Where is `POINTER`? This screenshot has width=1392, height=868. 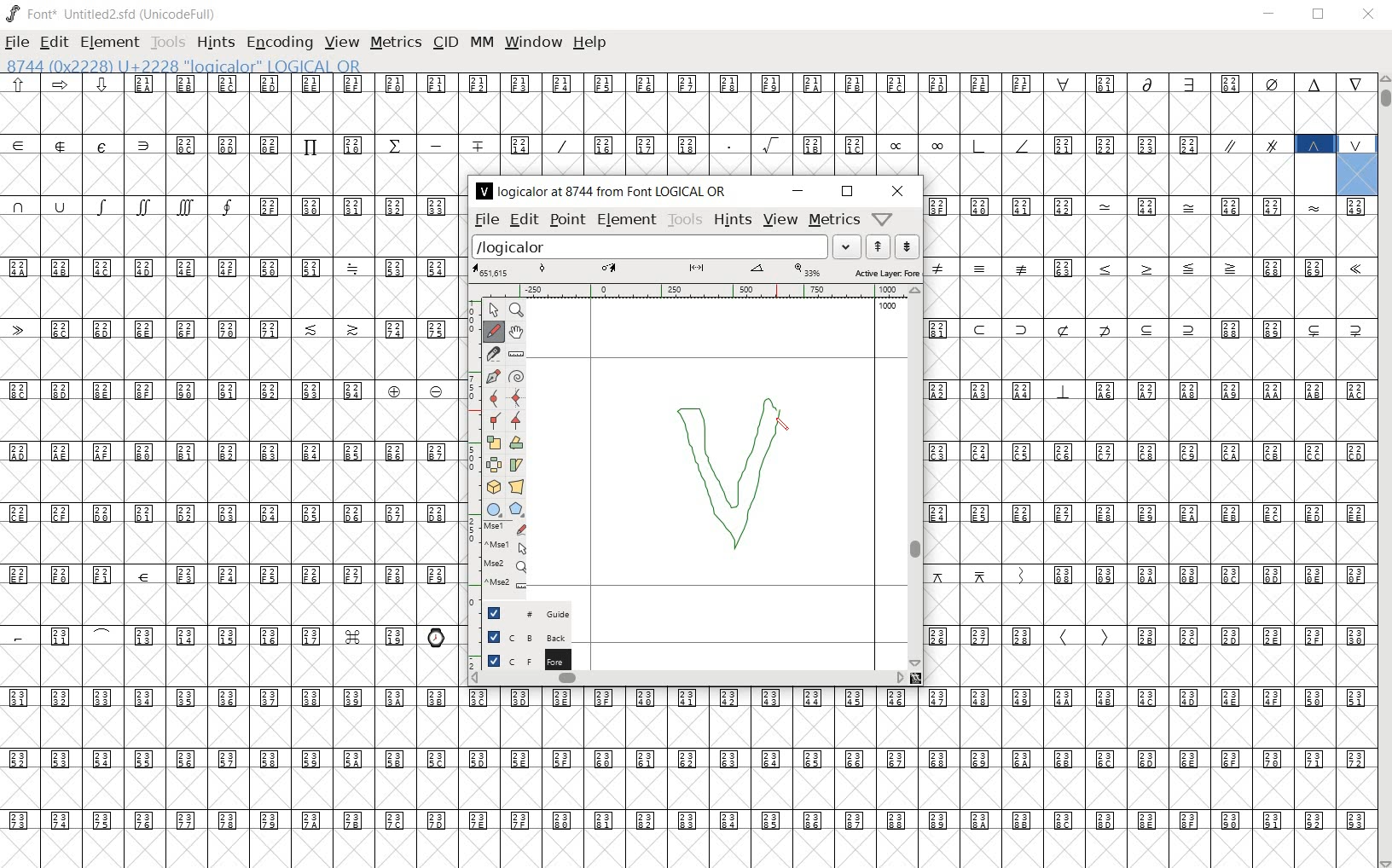
POINTER is located at coordinates (493, 310).